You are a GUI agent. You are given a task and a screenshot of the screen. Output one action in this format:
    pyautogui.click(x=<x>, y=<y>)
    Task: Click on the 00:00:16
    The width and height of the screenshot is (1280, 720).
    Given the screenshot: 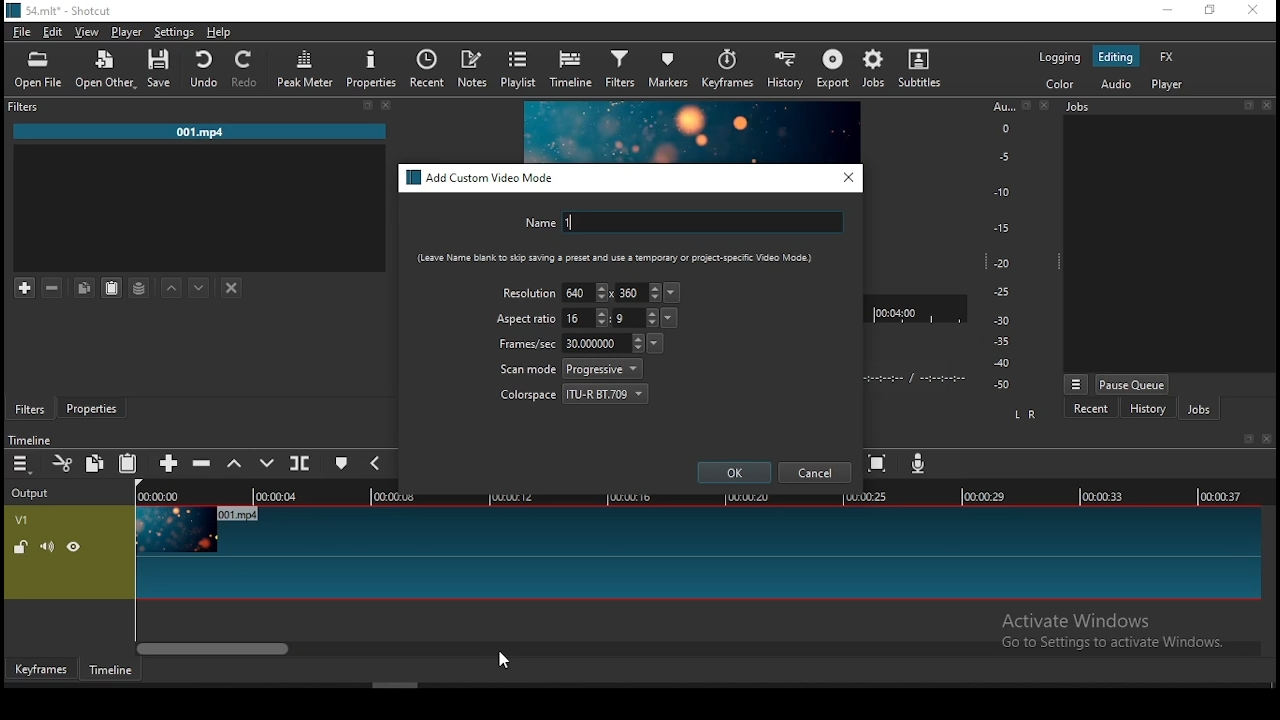 What is the action you would take?
    pyautogui.click(x=631, y=496)
    